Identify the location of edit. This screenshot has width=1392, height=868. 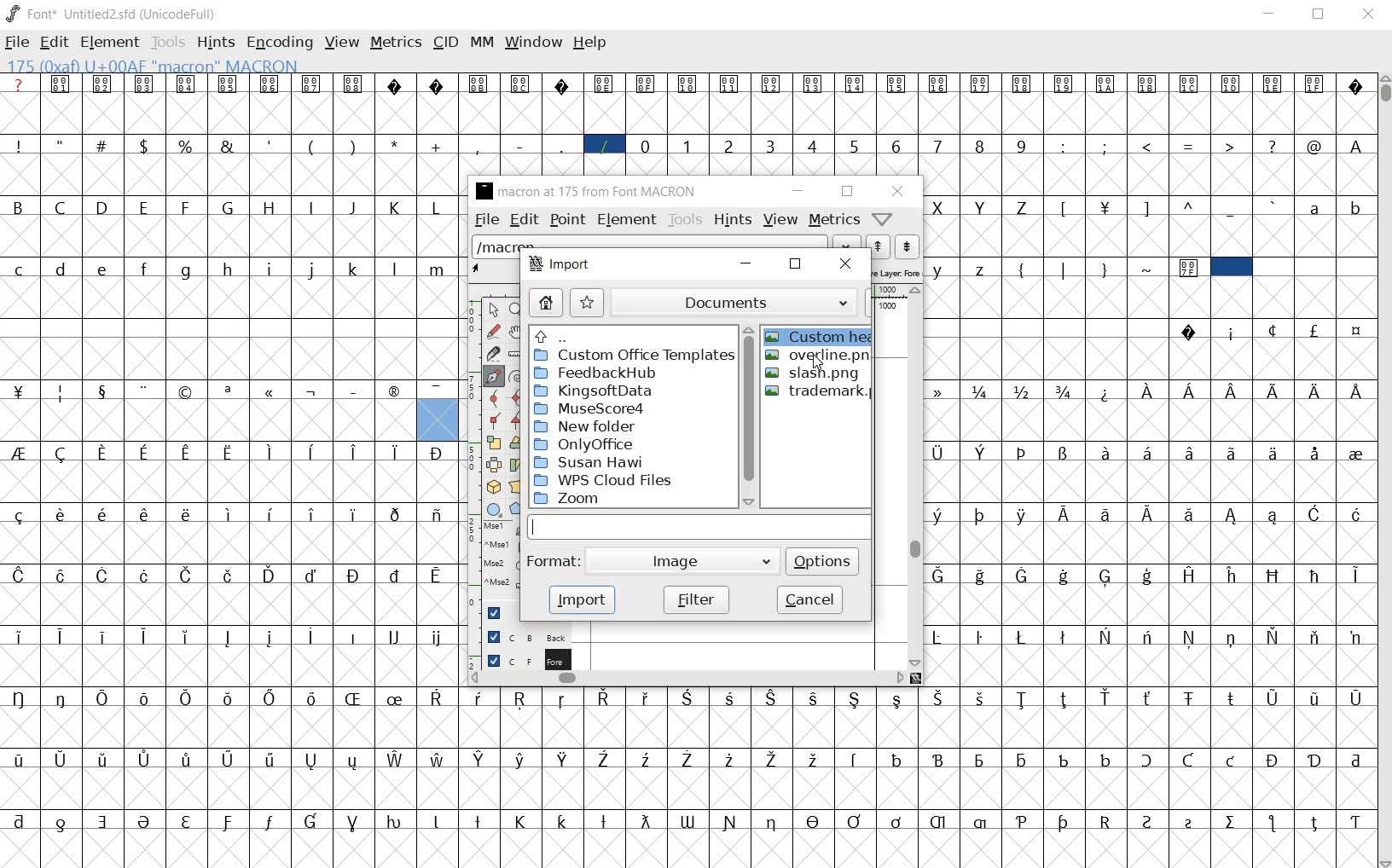
(524, 222).